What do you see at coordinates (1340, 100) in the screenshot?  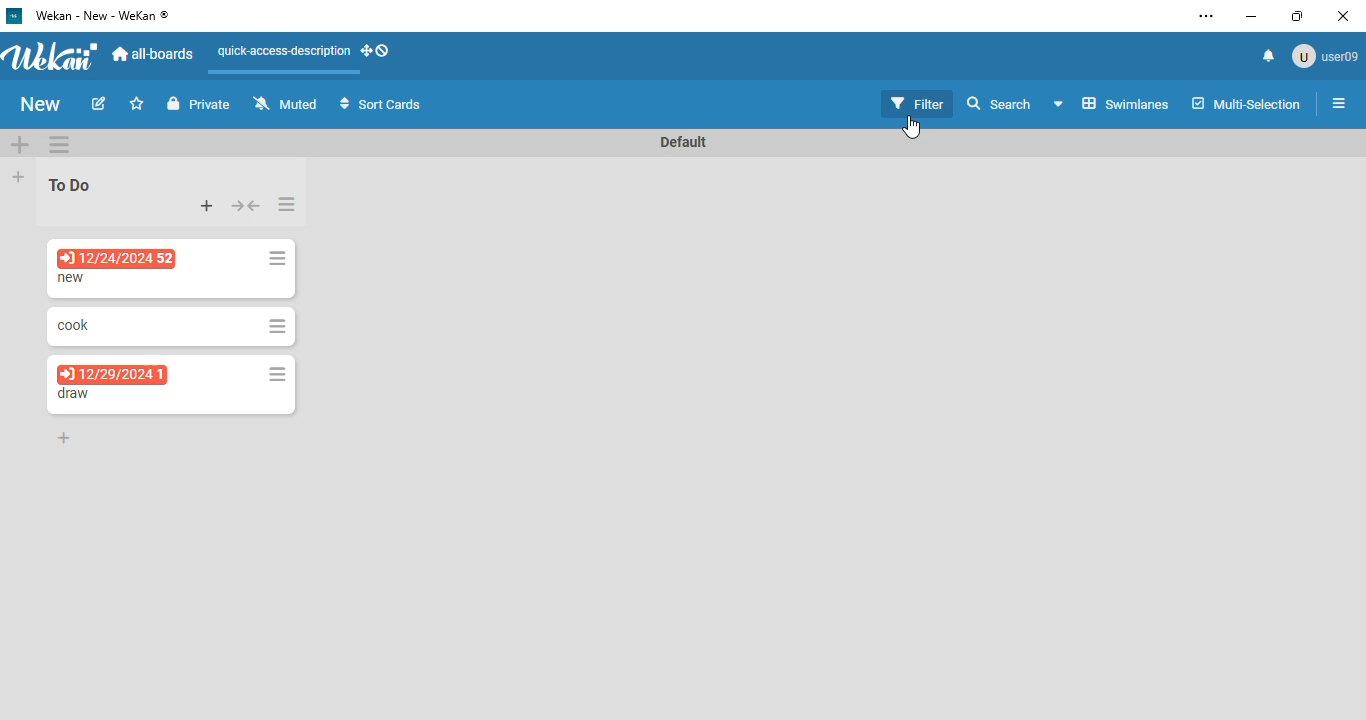 I see `open sidebar or close sidebar` at bounding box center [1340, 100].